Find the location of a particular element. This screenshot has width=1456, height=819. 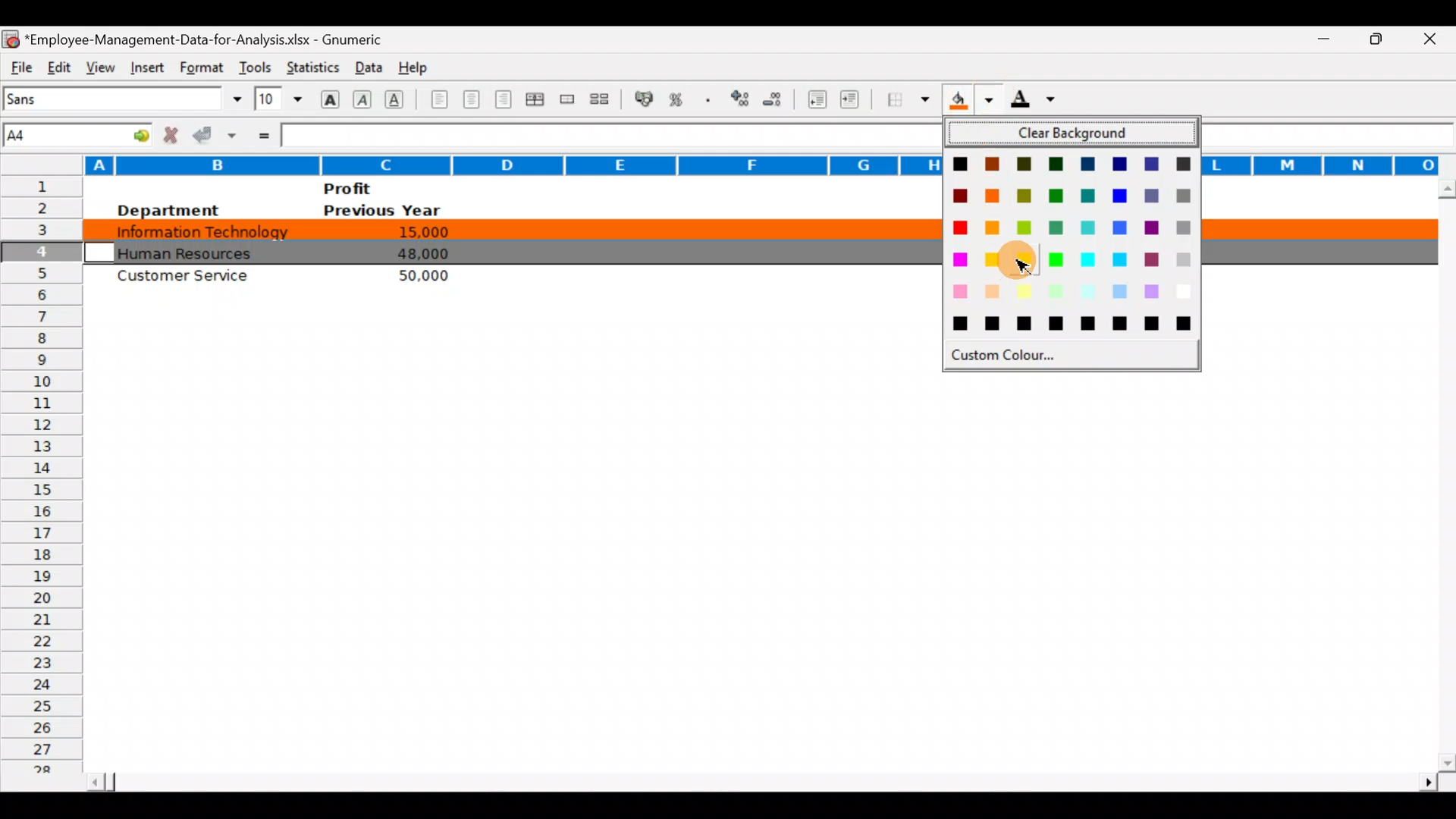

Data is located at coordinates (365, 64).